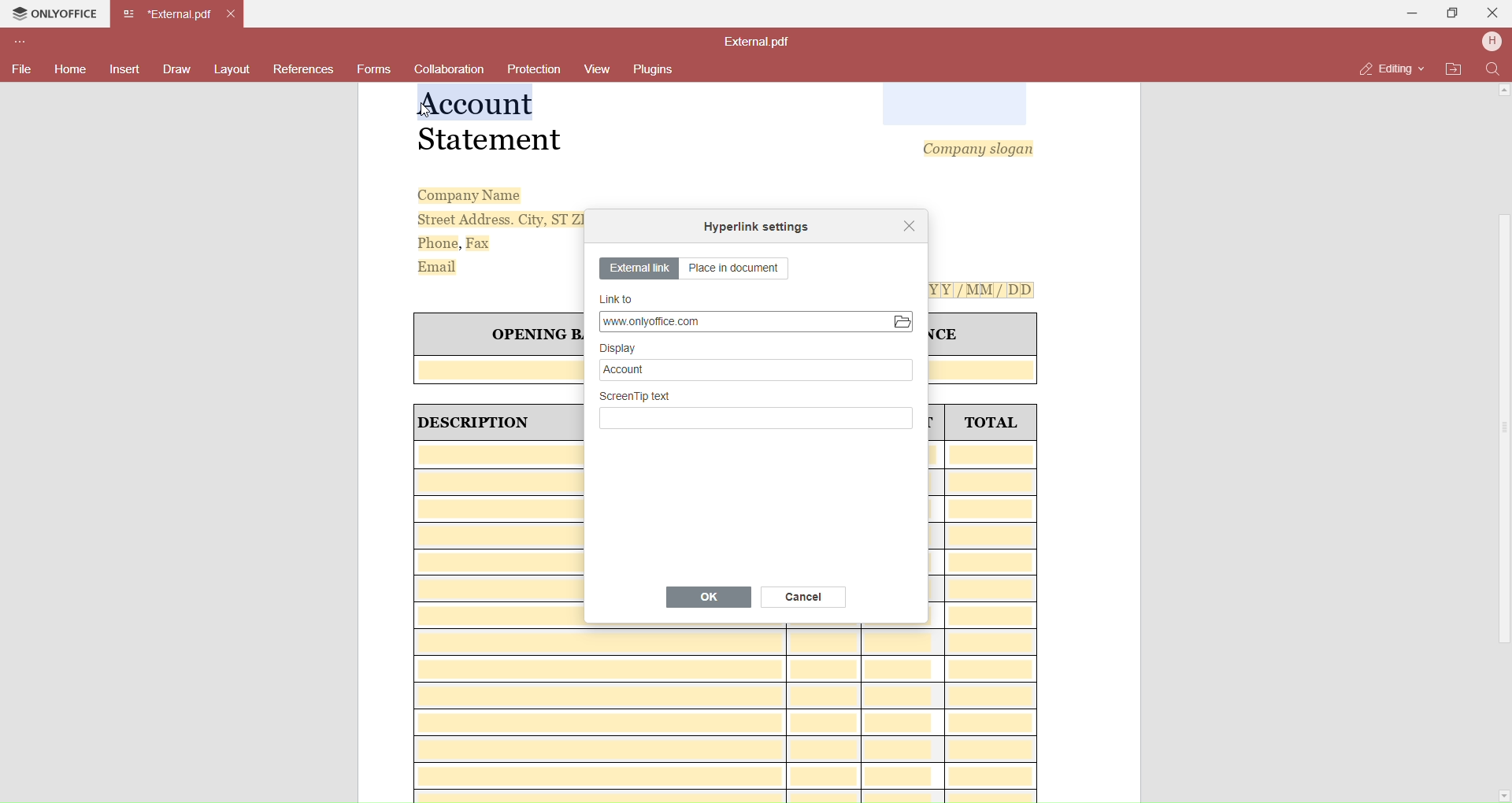 The height and width of the screenshot is (803, 1512). Describe the element at coordinates (442, 265) in the screenshot. I see `Email` at that location.